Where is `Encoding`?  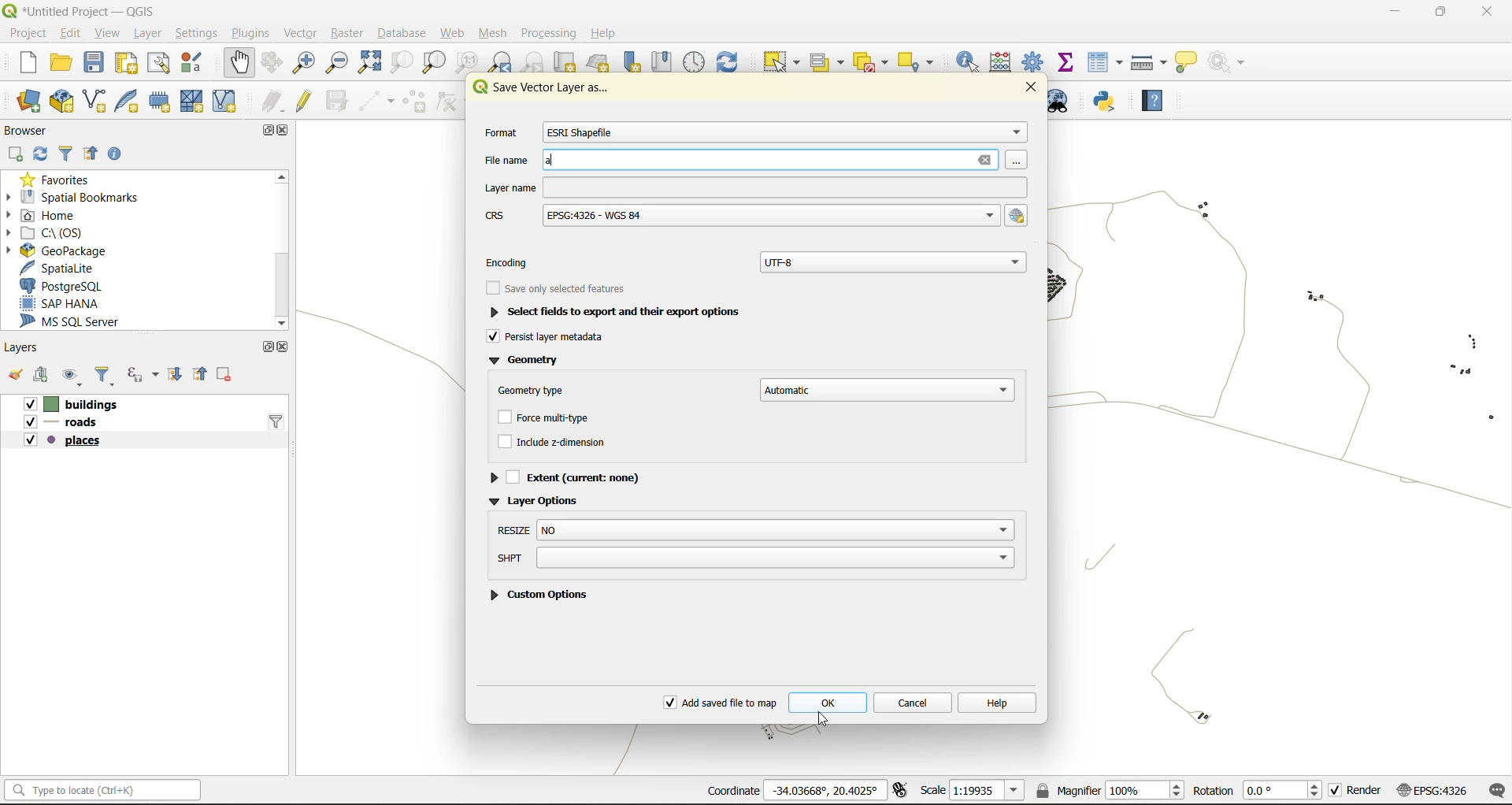
Encoding is located at coordinates (518, 259).